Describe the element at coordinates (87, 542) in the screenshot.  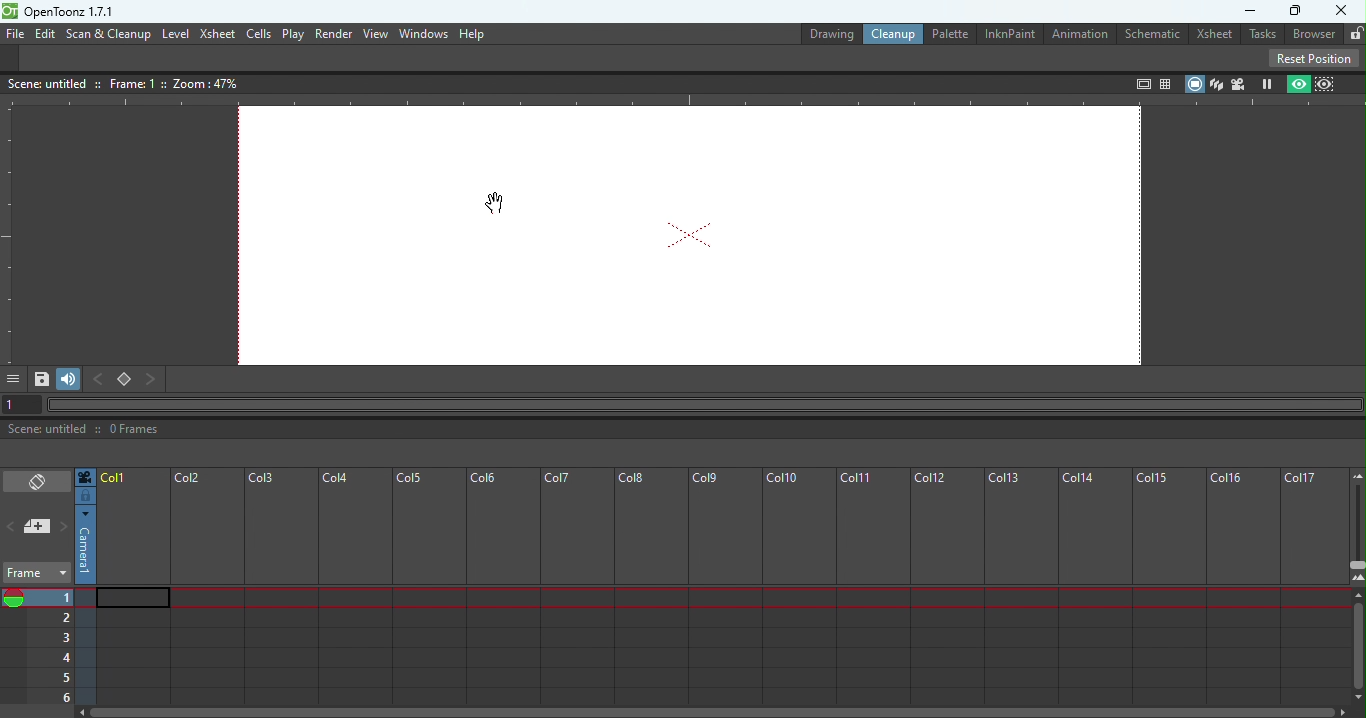
I see `Click to select camera` at that location.